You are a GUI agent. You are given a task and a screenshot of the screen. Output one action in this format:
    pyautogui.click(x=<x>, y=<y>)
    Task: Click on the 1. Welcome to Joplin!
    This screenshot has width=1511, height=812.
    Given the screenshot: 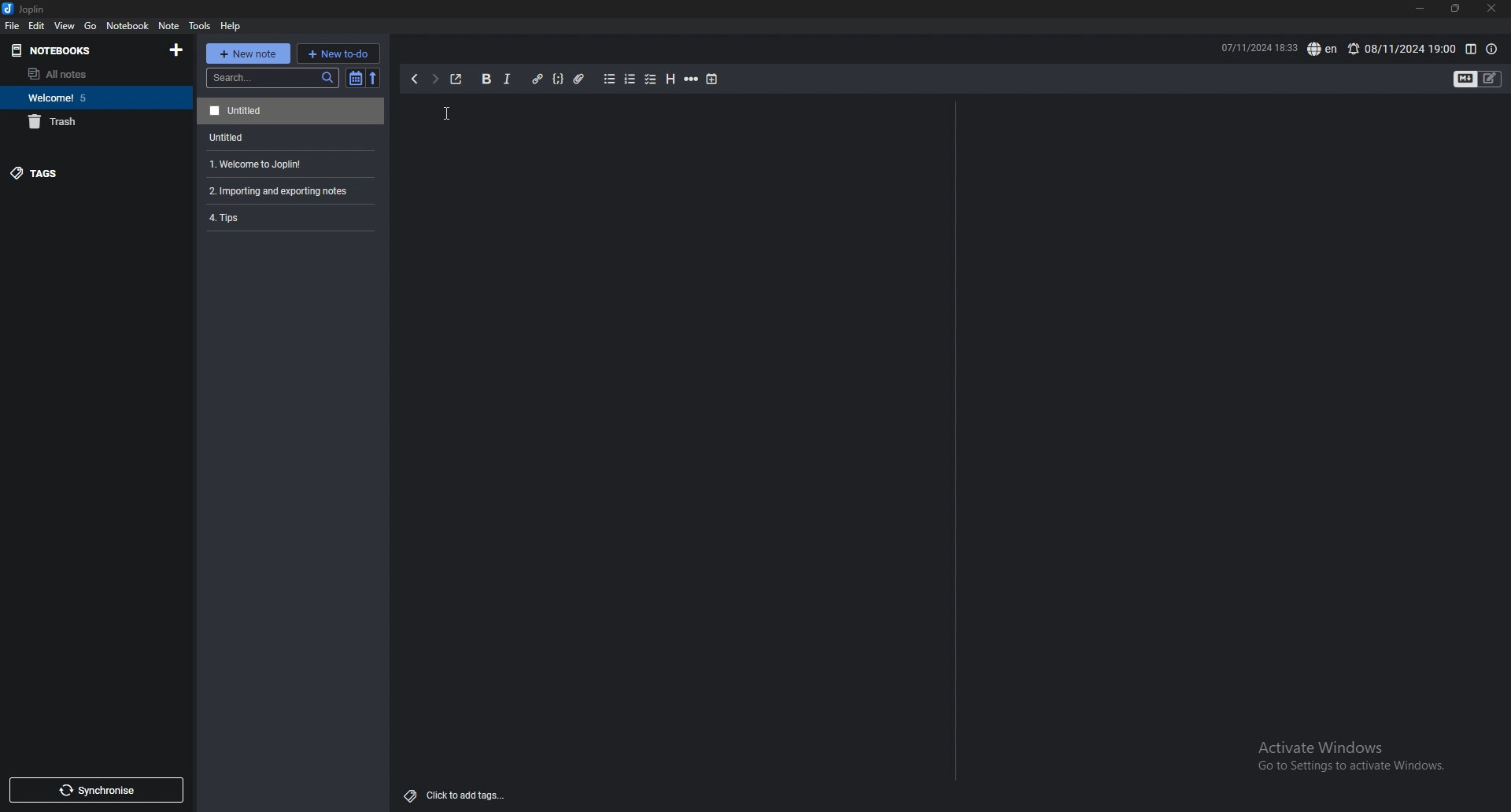 What is the action you would take?
    pyautogui.click(x=287, y=162)
    